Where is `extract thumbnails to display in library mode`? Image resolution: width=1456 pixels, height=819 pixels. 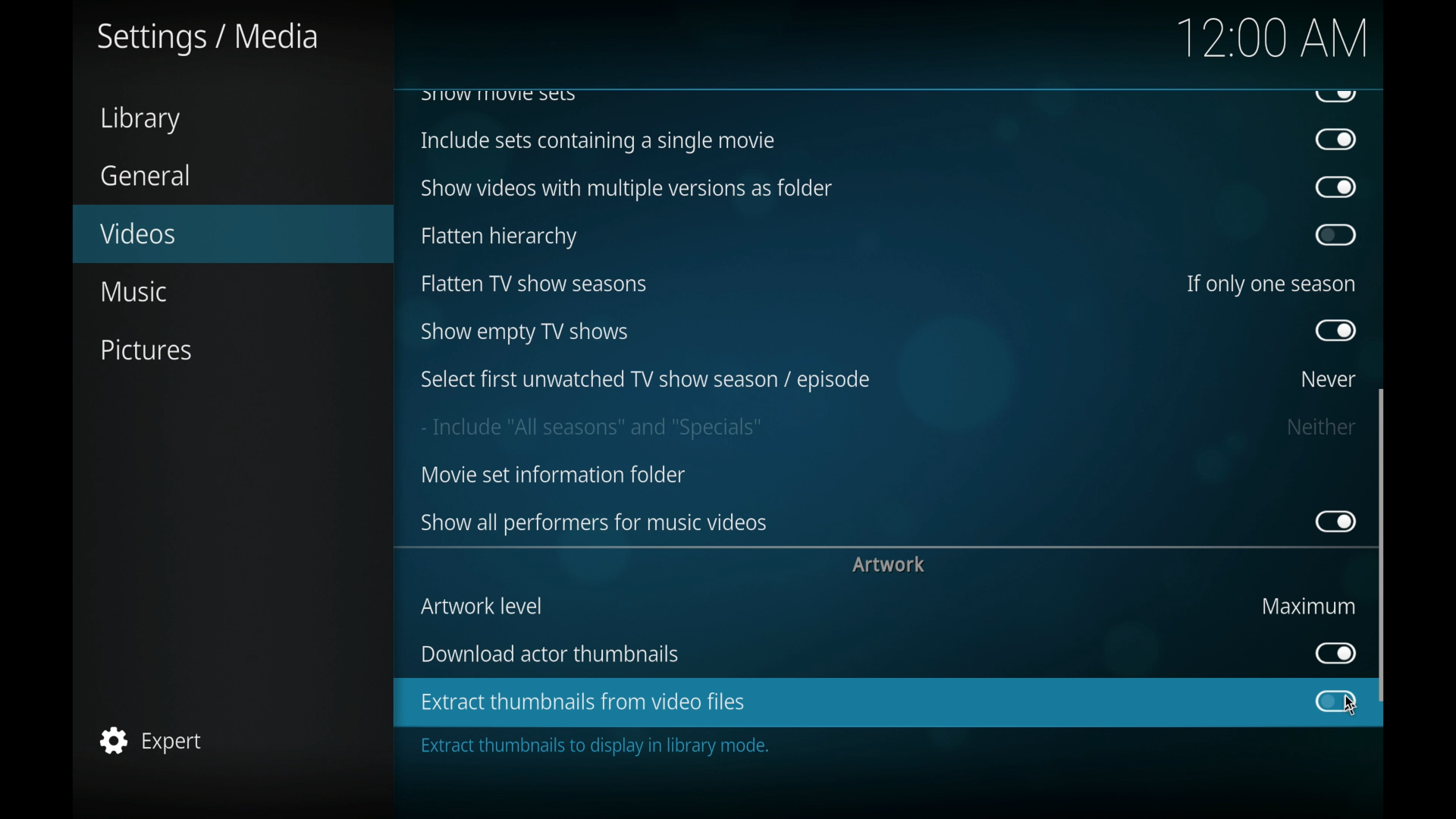
extract thumbnails to display in library mode is located at coordinates (597, 748).